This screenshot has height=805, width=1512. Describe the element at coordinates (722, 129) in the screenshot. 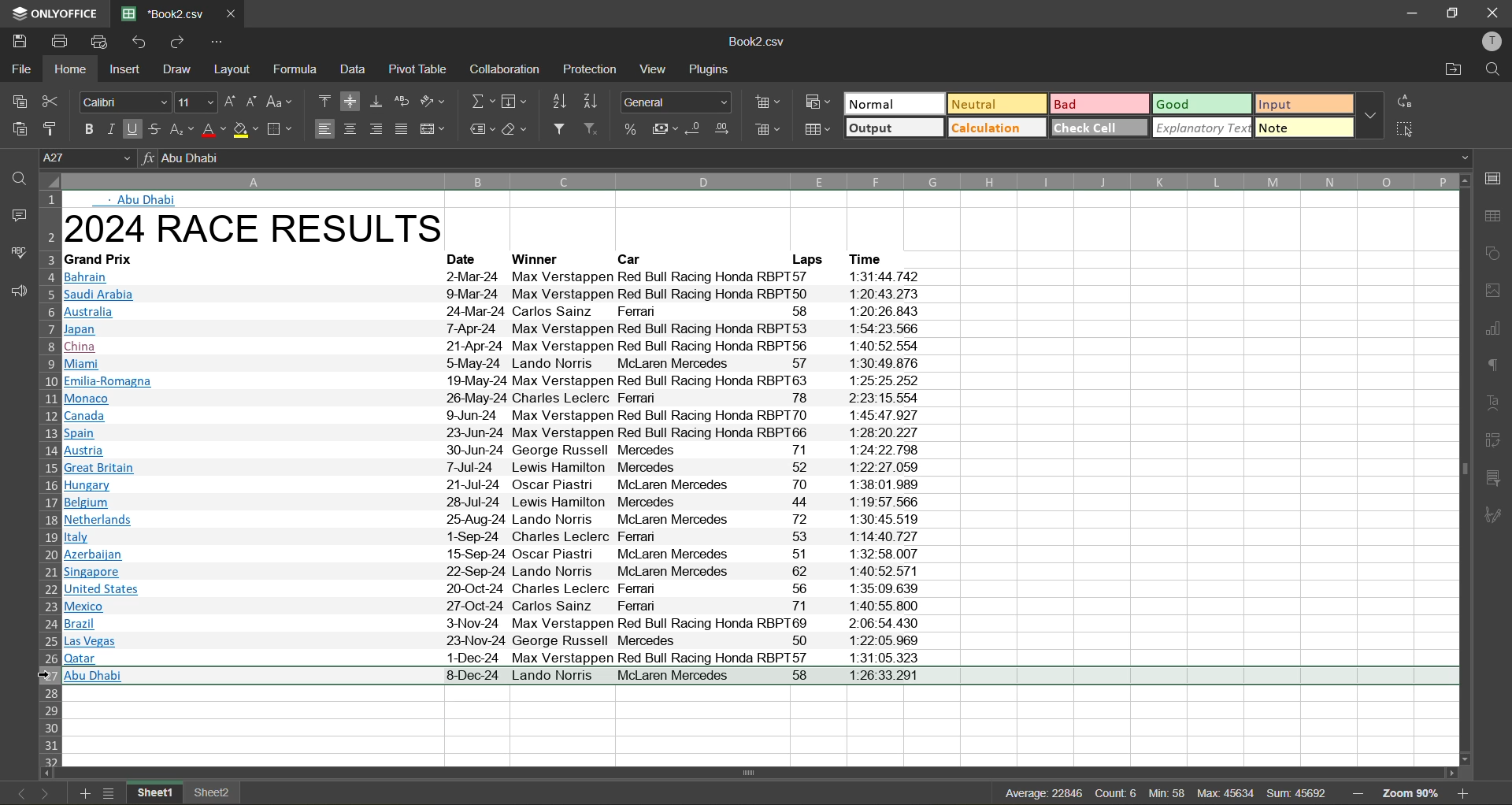

I see `increase decimal` at that location.